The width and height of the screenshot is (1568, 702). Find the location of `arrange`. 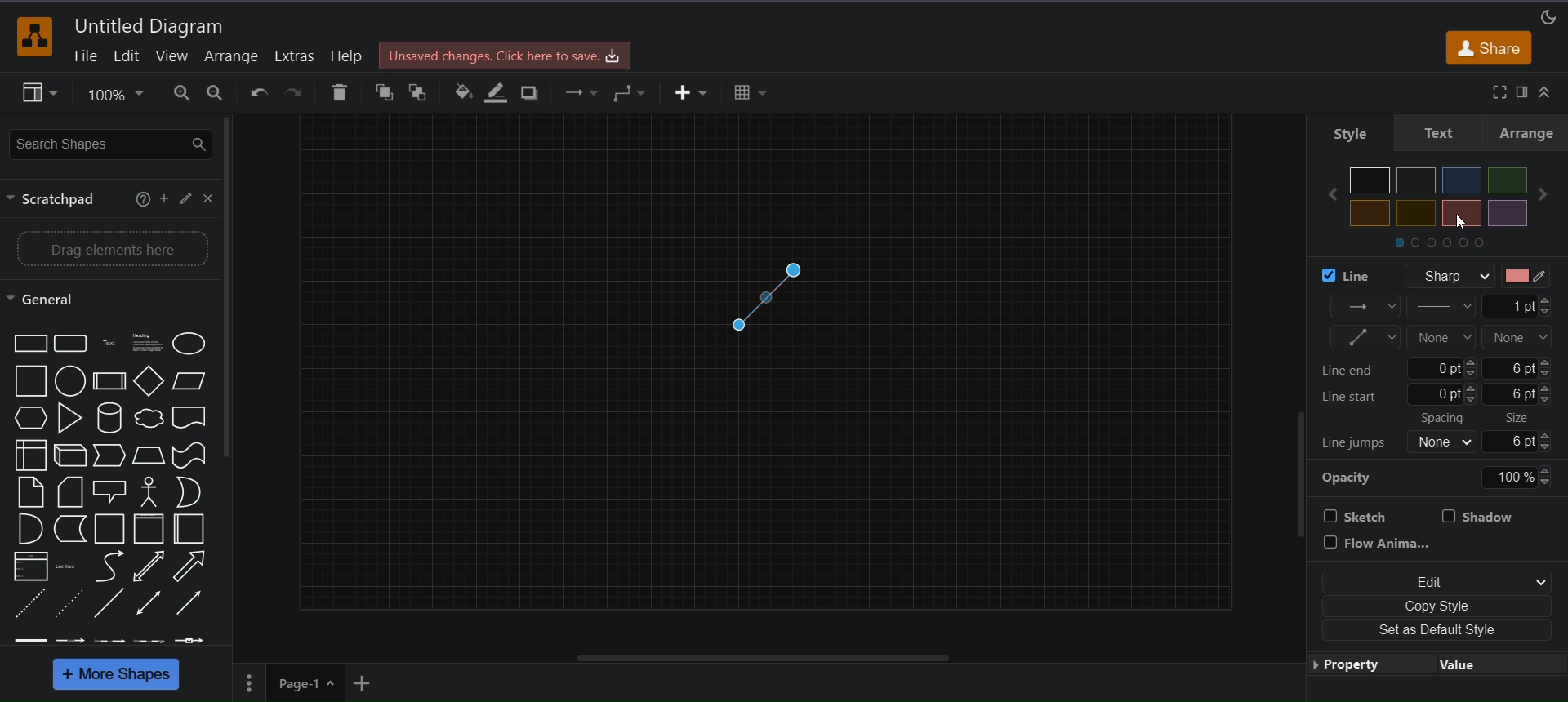

arrange is located at coordinates (1530, 136).